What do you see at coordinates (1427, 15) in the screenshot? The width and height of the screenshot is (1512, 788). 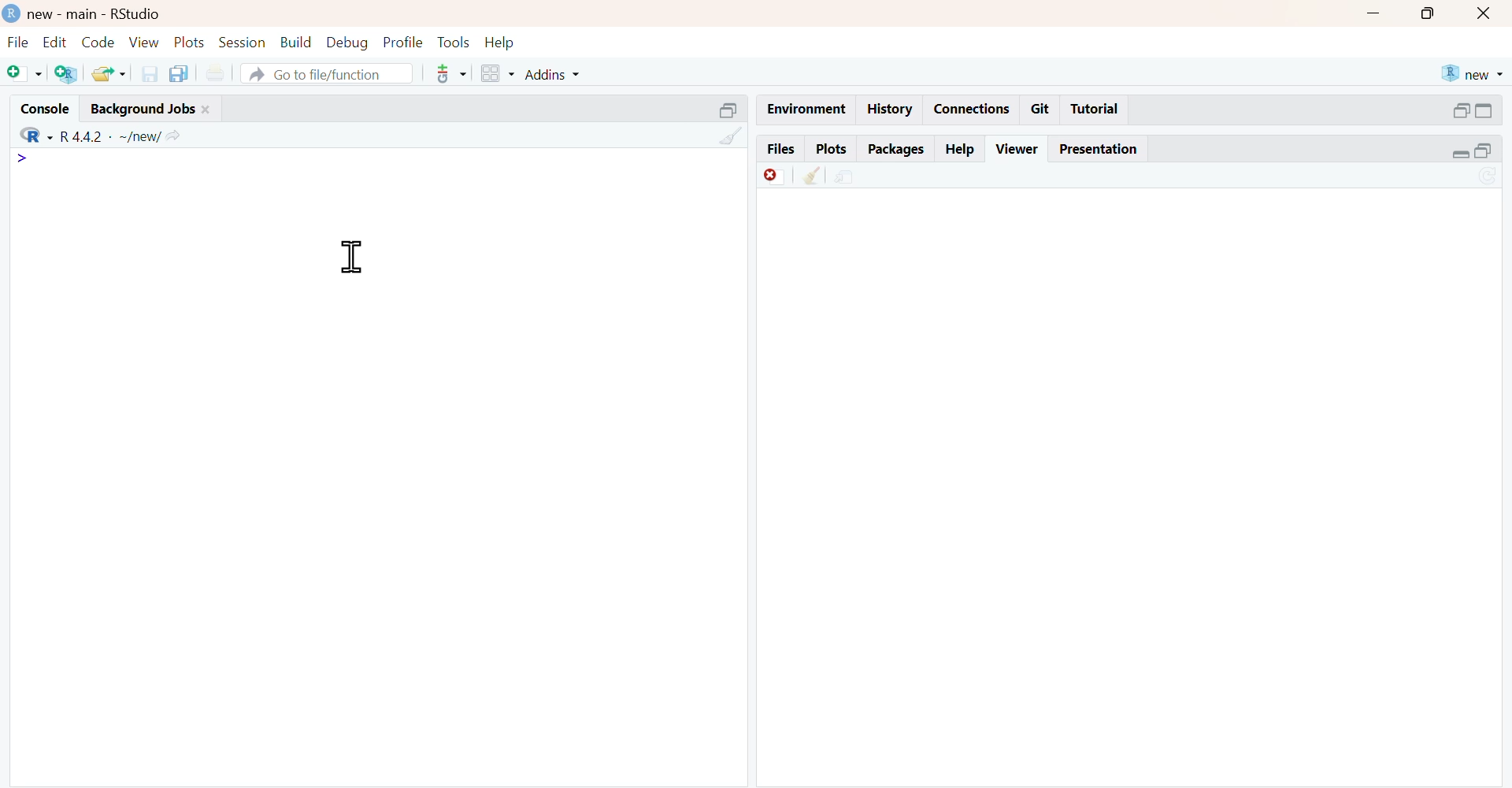 I see `maximise` at bounding box center [1427, 15].